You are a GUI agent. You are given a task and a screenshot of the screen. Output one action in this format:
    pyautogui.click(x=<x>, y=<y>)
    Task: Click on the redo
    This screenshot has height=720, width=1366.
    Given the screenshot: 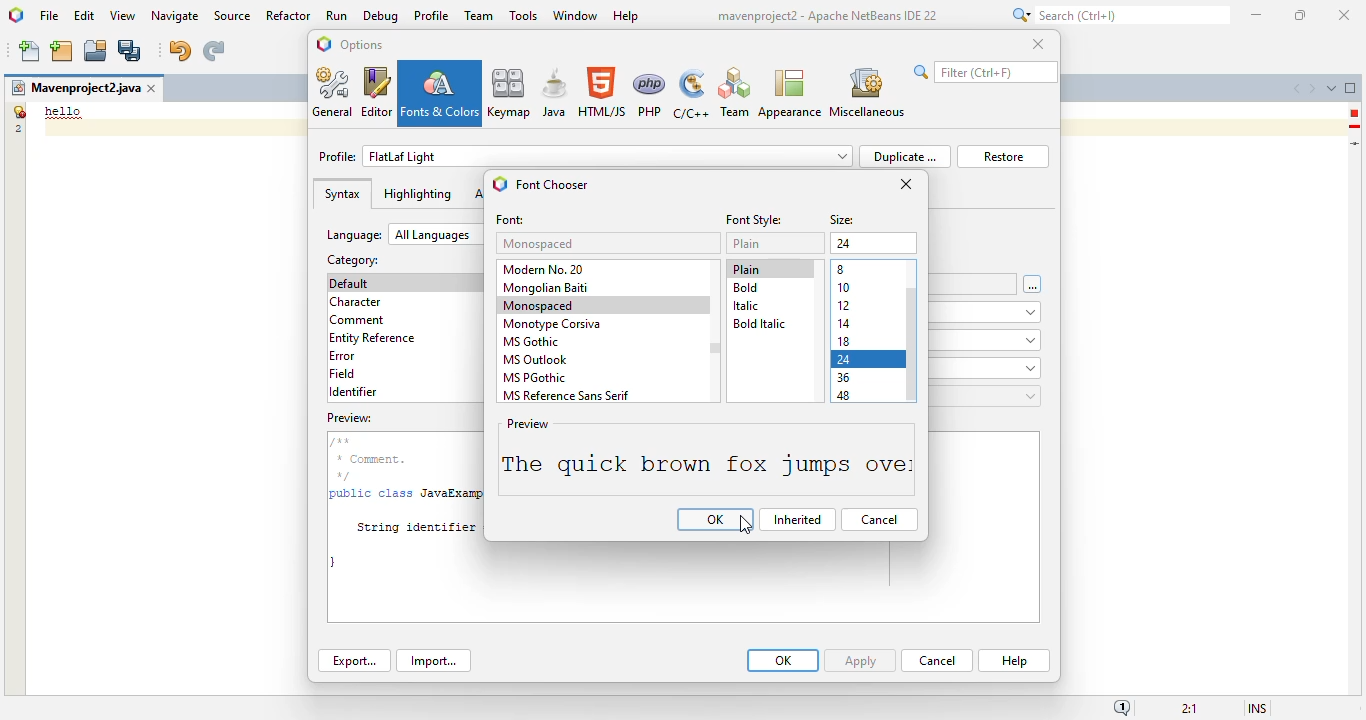 What is the action you would take?
    pyautogui.click(x=213, y=51)
    